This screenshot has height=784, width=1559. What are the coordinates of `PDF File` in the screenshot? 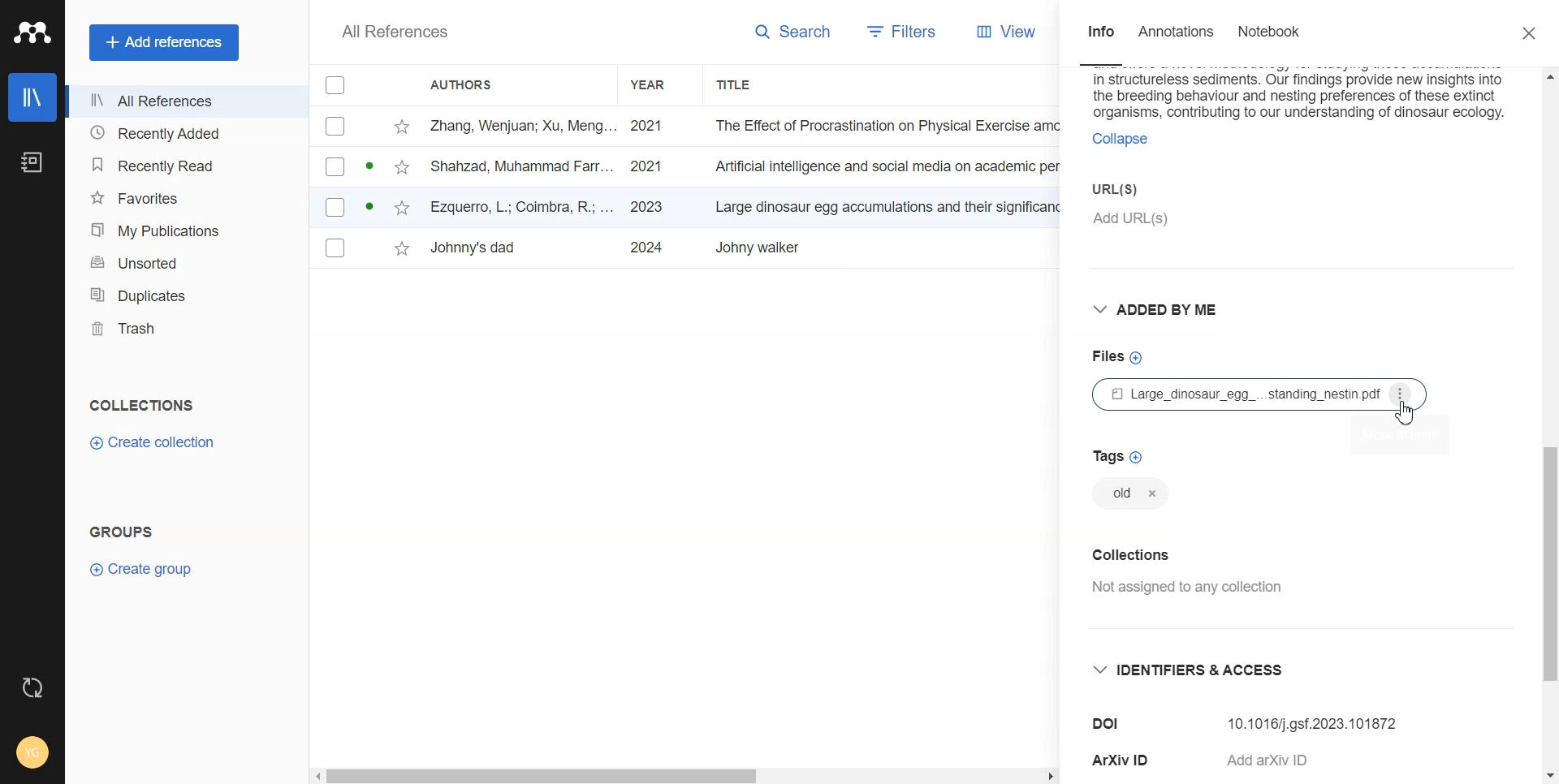 It's located at (1263, 394).